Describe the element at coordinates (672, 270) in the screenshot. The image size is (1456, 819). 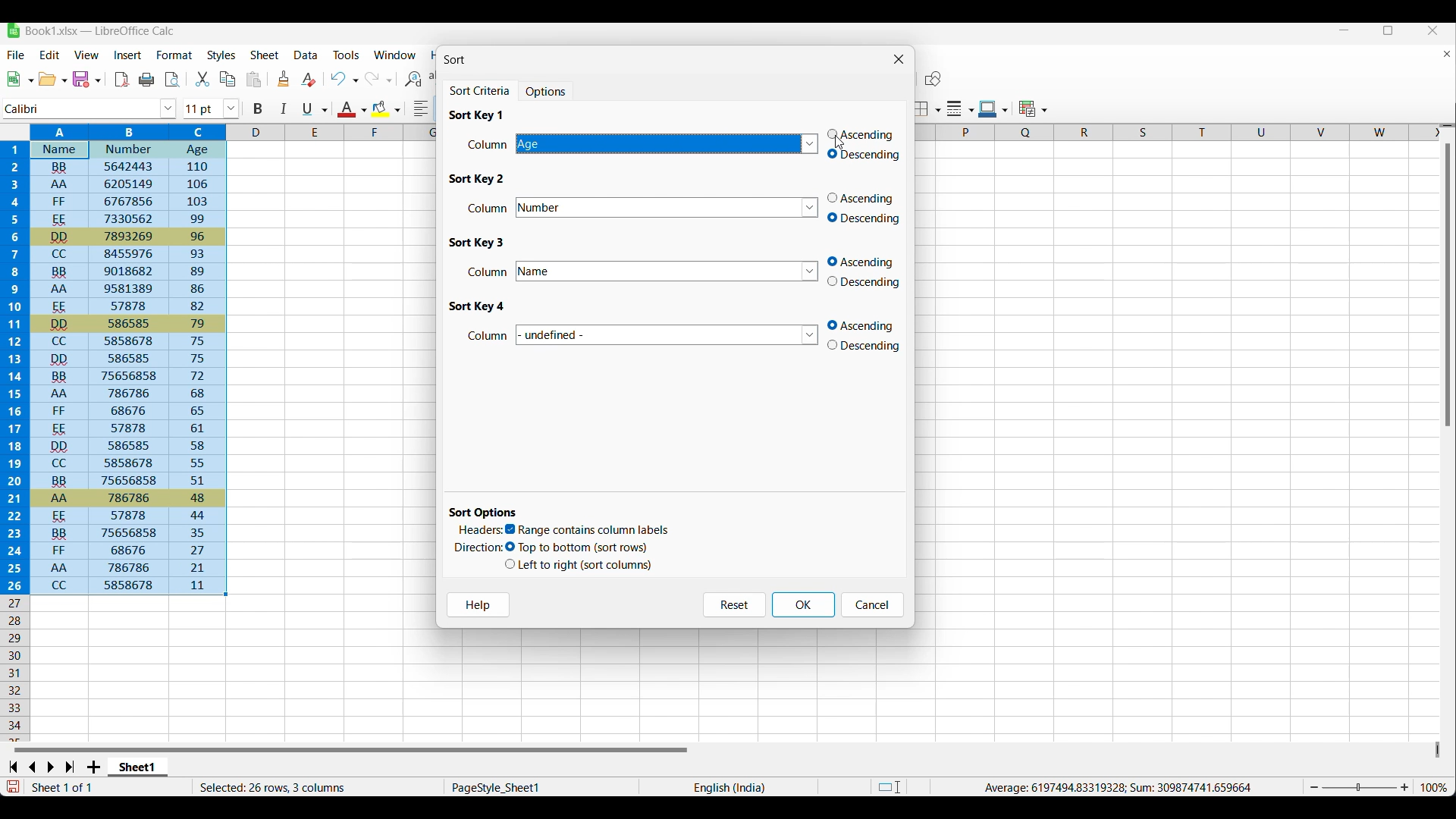
I see `column name` at that location.